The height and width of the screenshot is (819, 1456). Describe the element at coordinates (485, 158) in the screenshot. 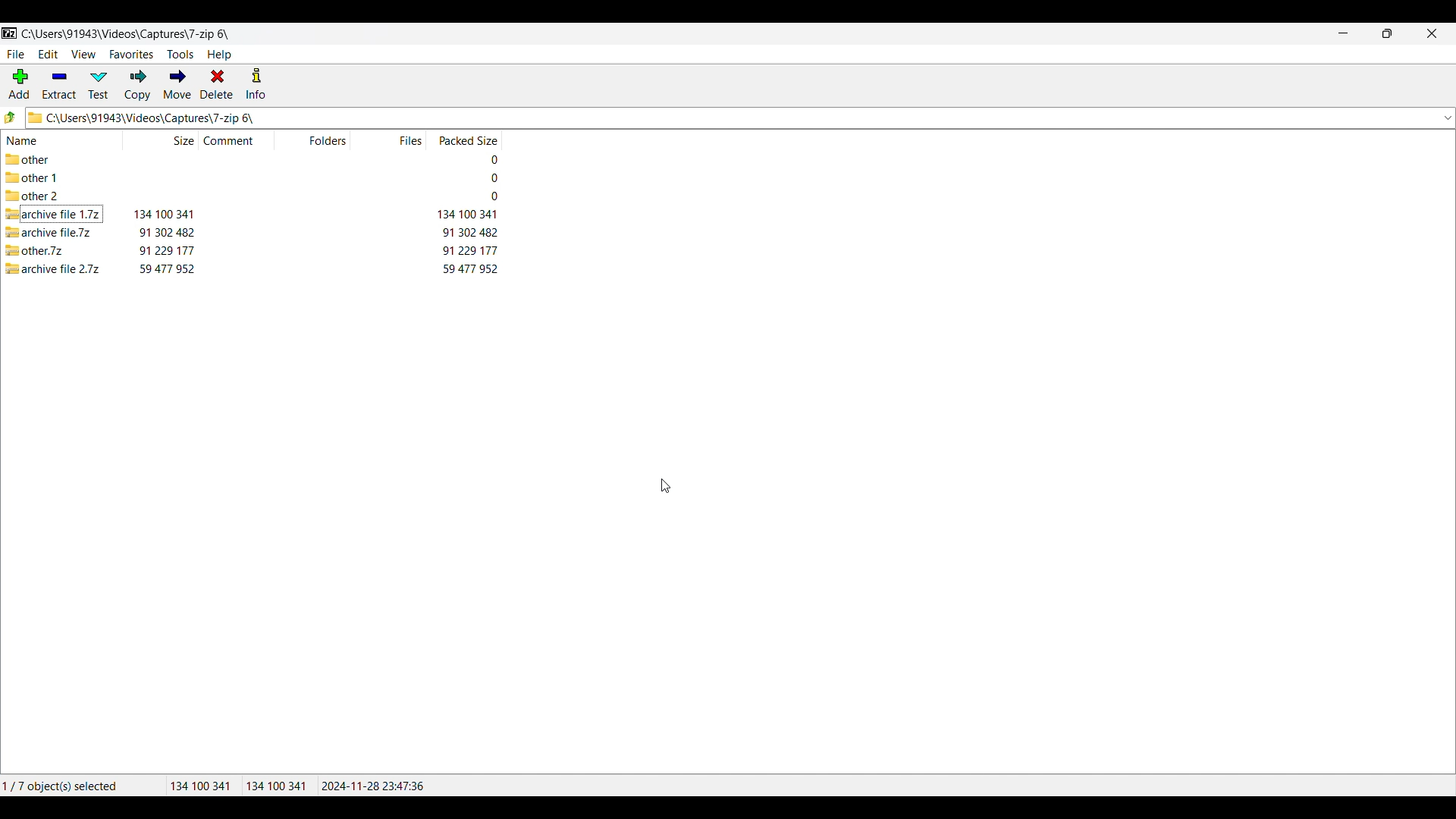

I see `packed size` at that location.